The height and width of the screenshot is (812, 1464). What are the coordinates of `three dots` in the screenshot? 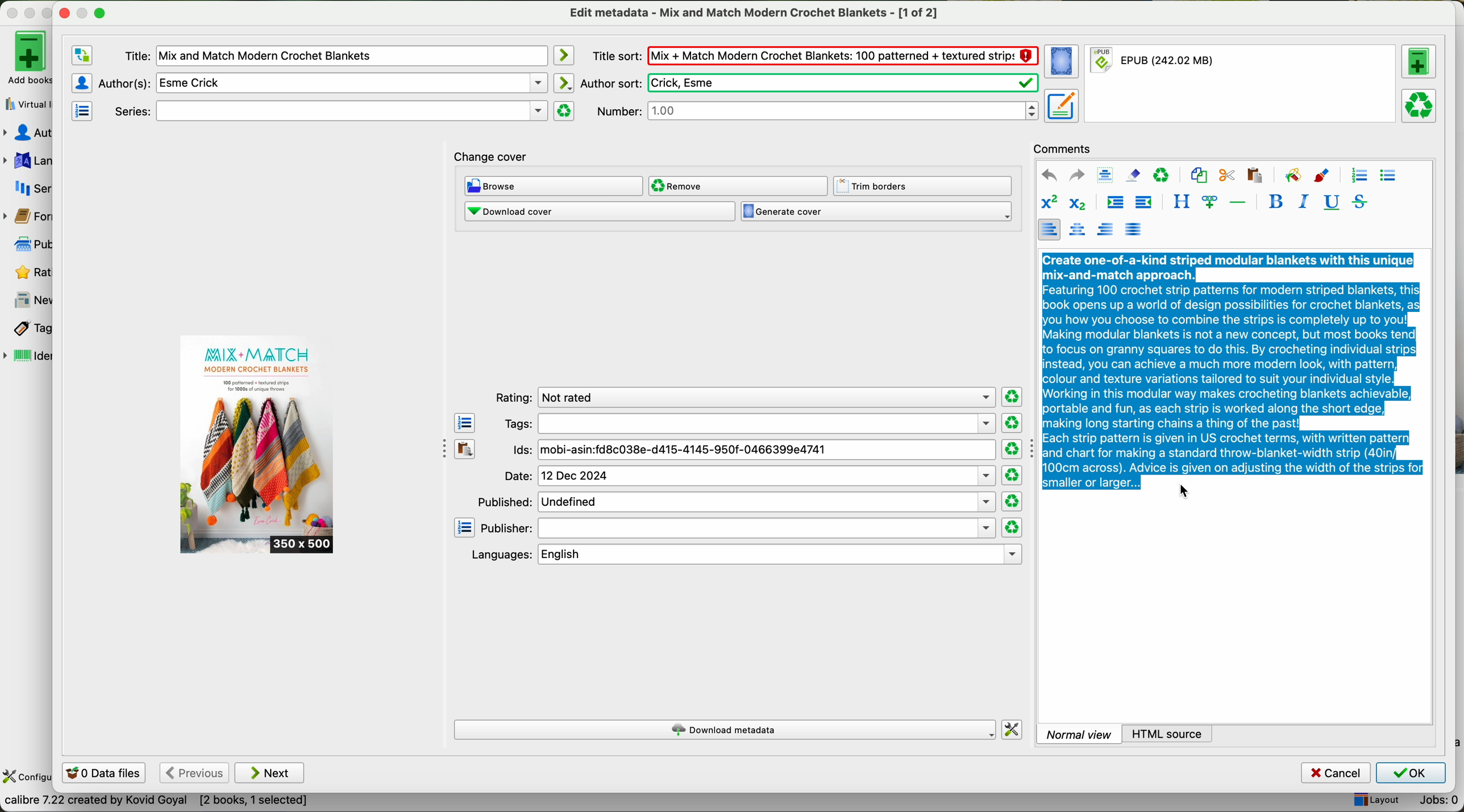 It's located at (439, 447).